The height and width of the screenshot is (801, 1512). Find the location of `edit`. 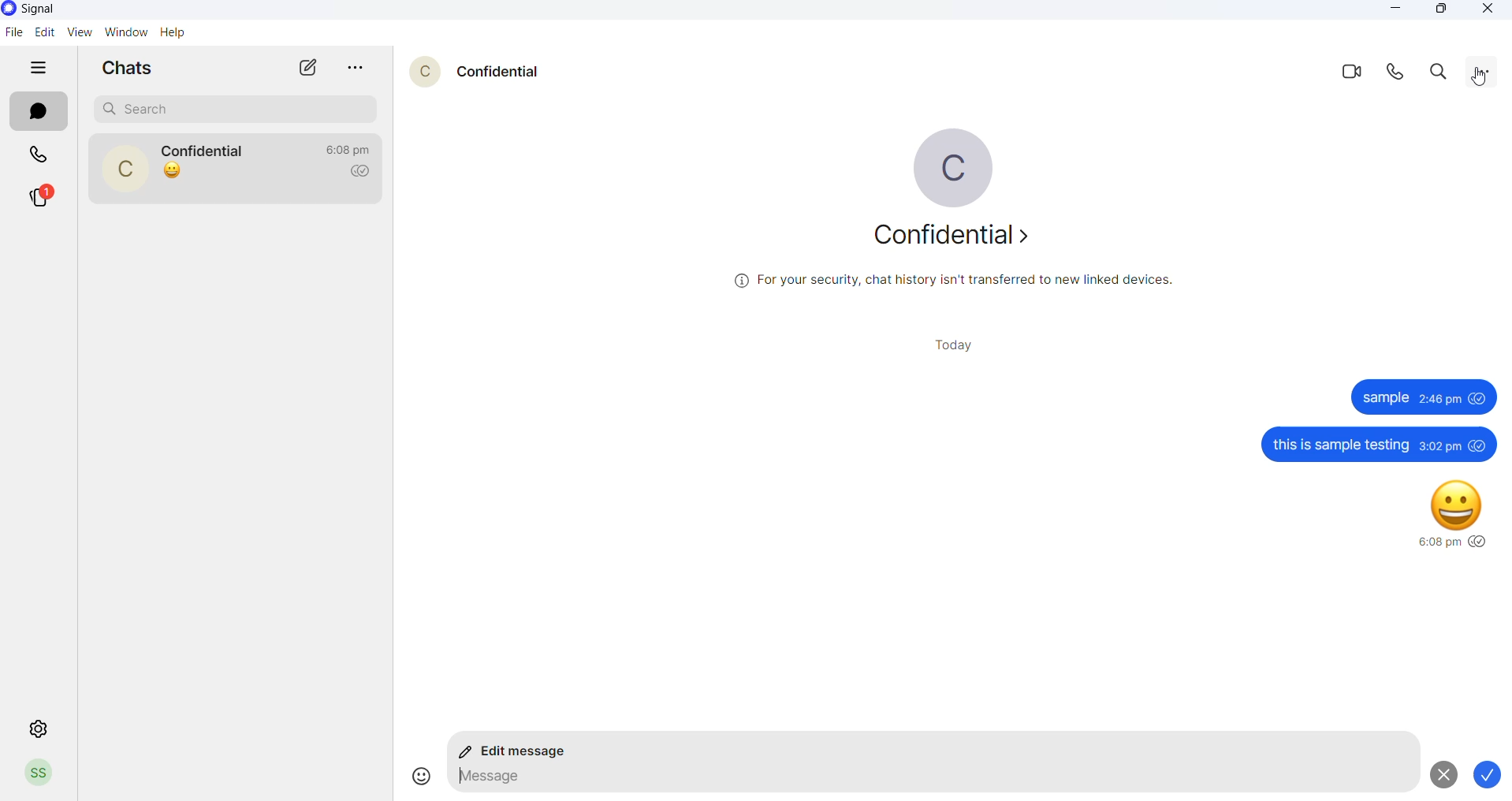

edit is located at coordinates (43, 32).